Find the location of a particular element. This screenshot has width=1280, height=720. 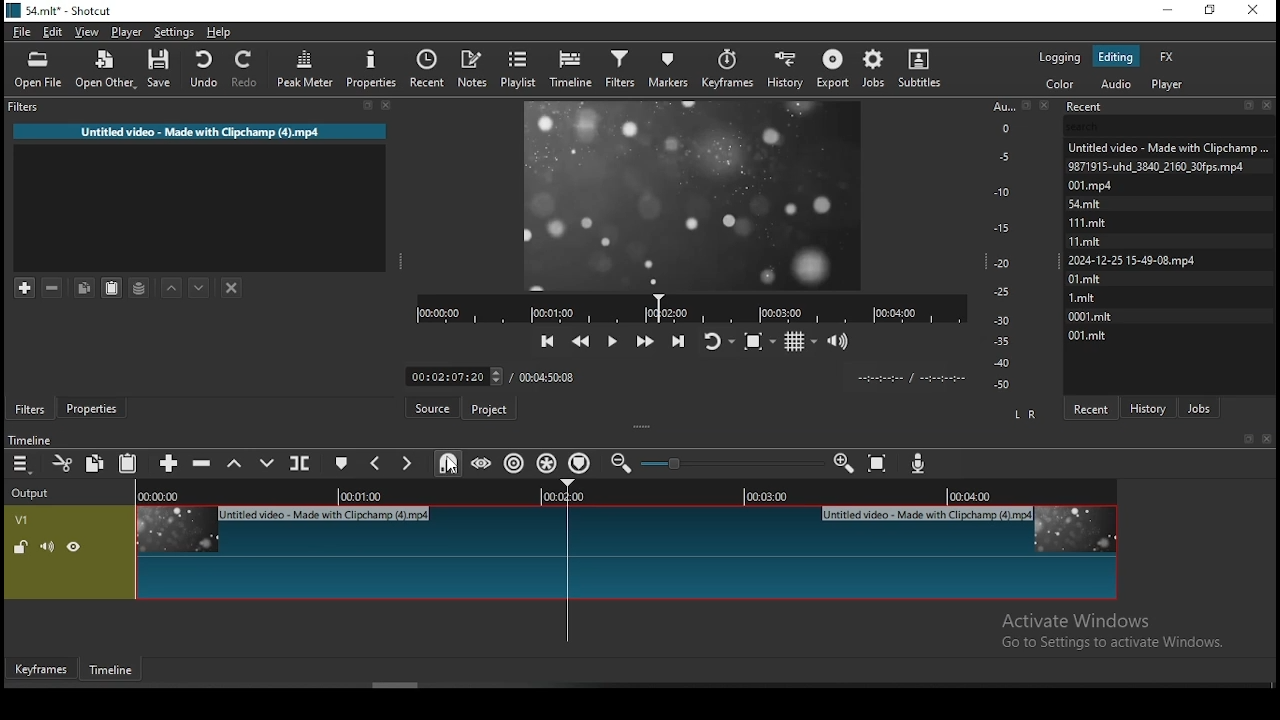

audio is located at coordinates (1119, 85).